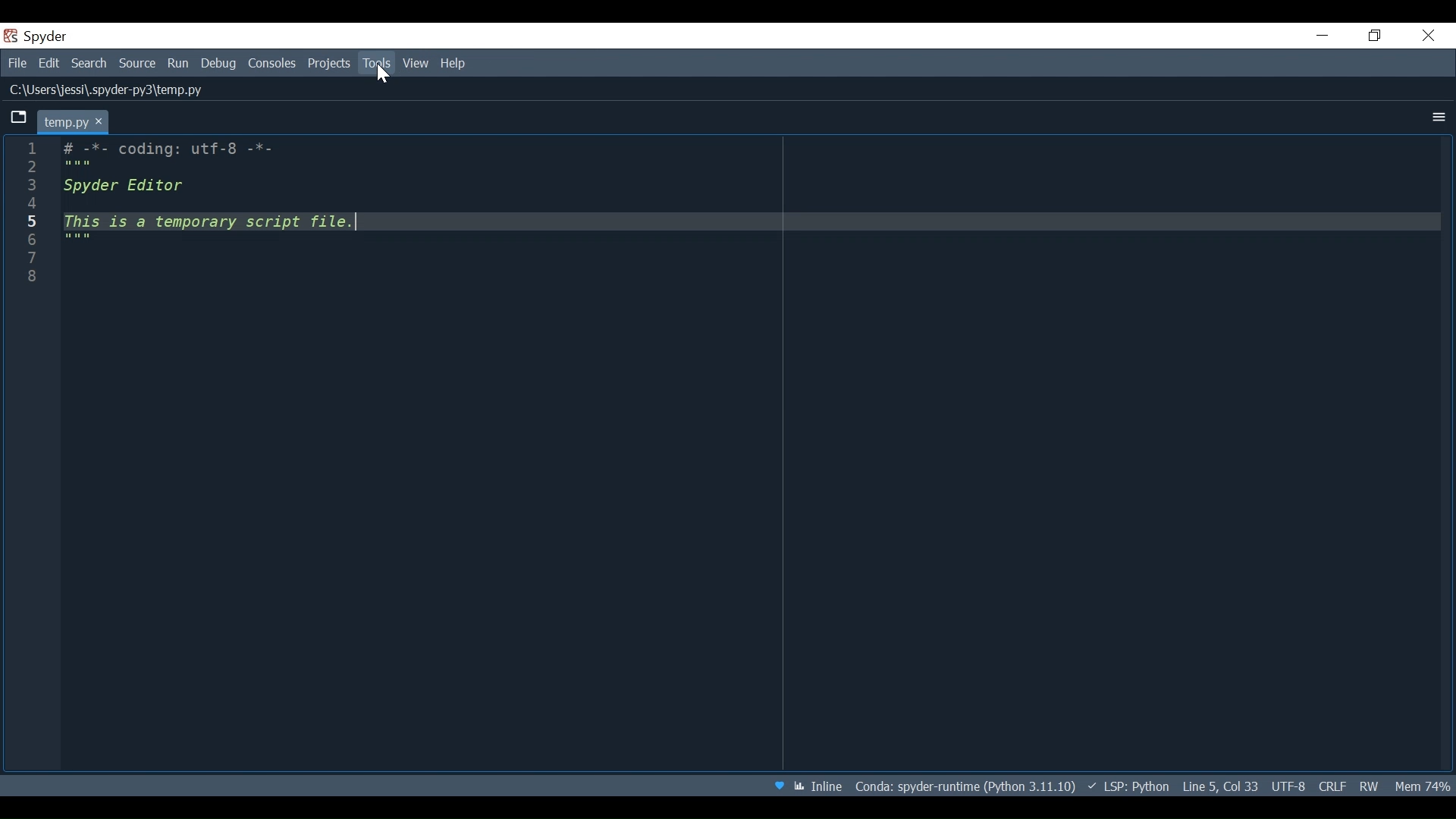 The image size is (1456, 819). What do you see at coordinates (384, 76) in the screenshot?
I see `Cursor` at bounding box center [384, 76].